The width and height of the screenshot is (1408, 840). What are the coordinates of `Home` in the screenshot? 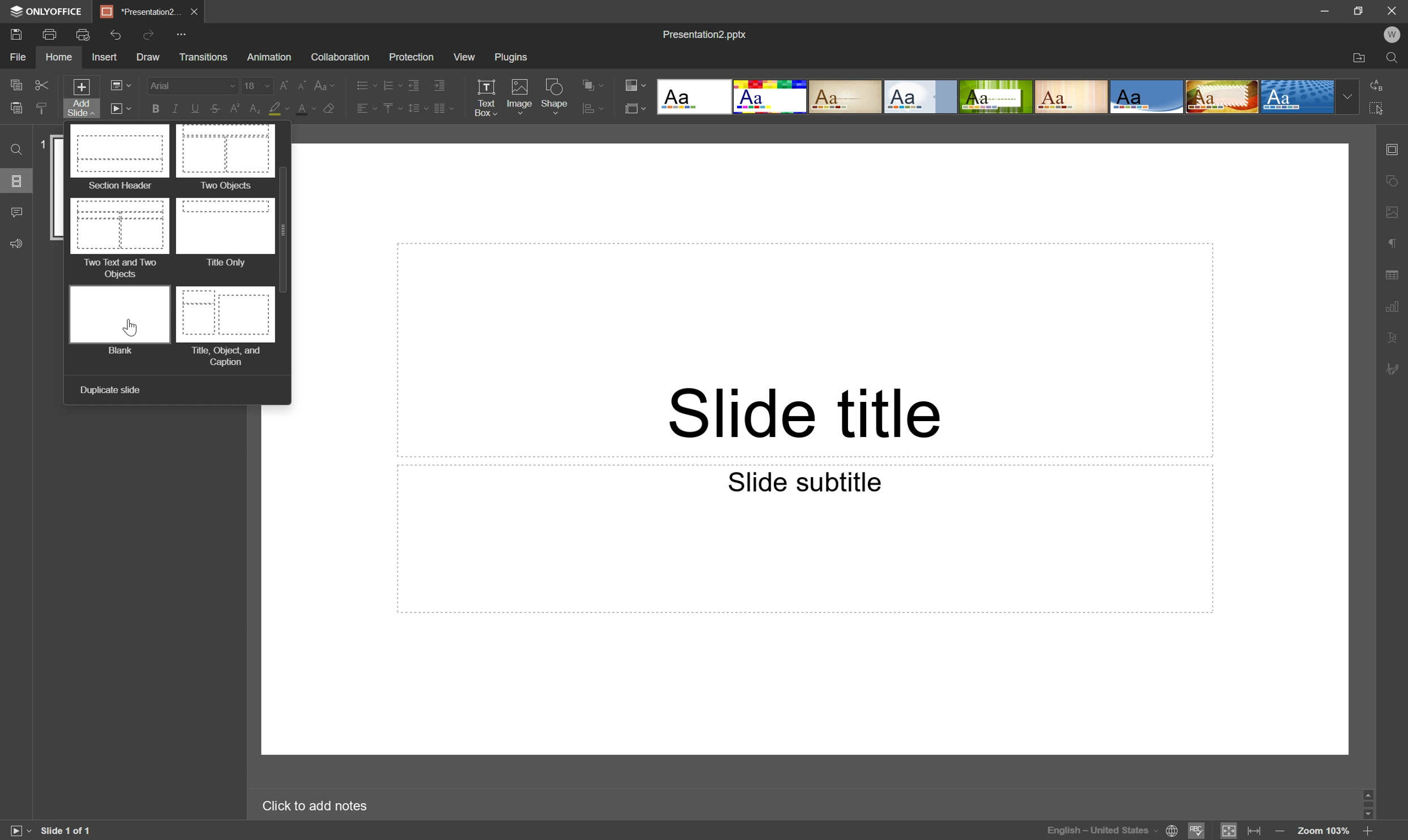 It's located at (61, 58).